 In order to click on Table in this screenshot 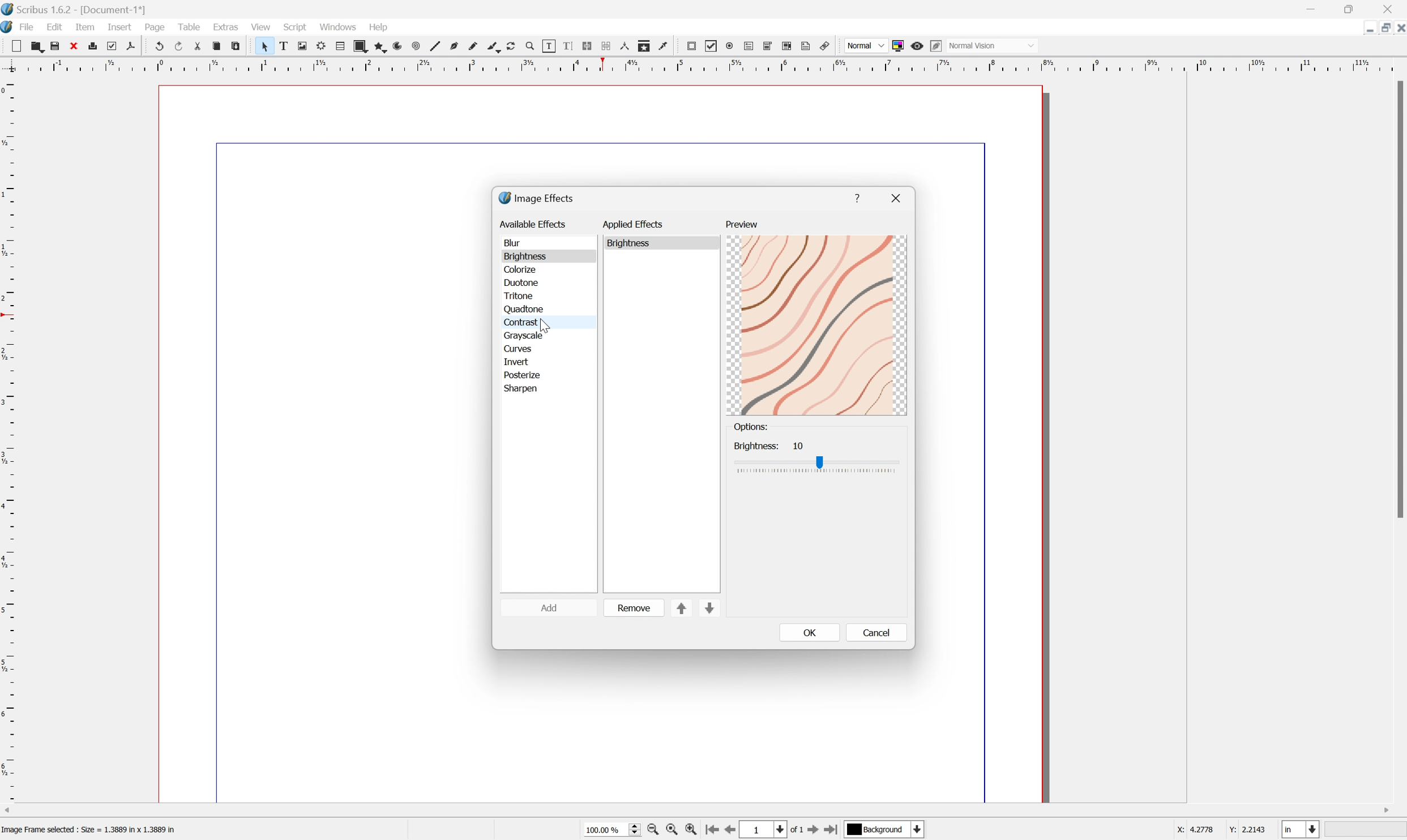, I will do `click(340, 46)`.